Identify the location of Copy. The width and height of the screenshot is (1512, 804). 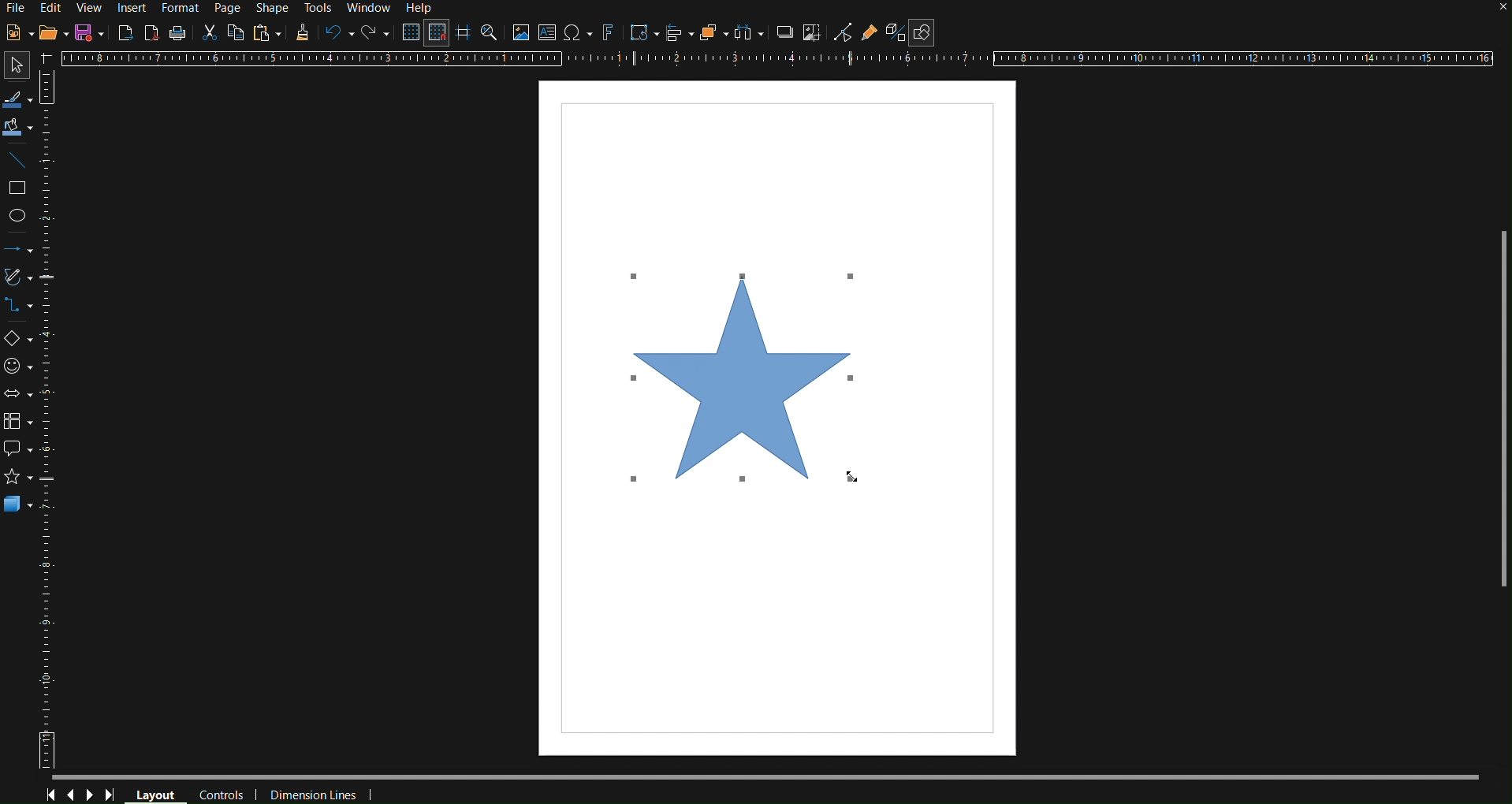
(234, 33).